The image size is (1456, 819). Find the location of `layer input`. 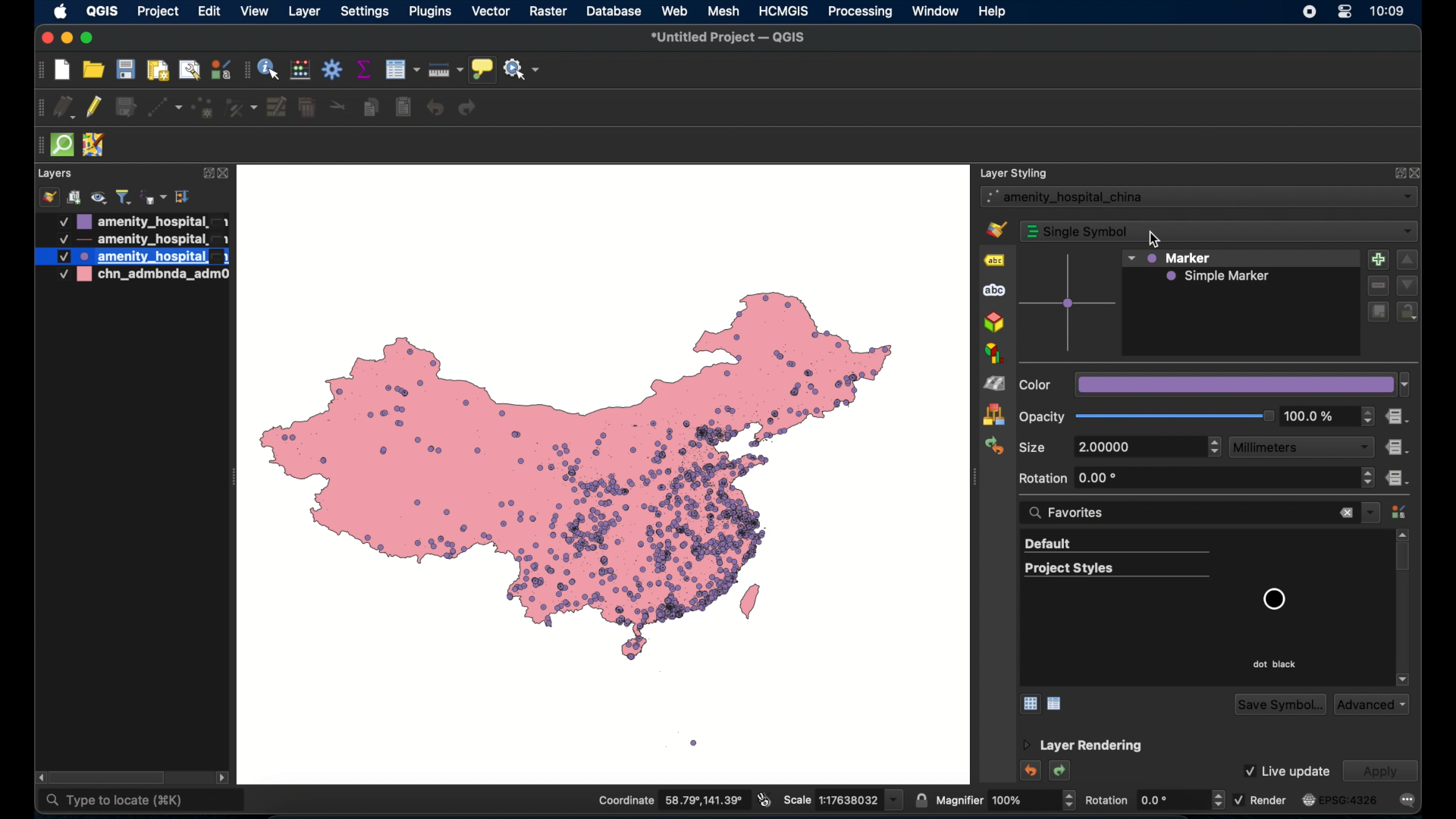

layer input is located at coordinates (1199, 197).